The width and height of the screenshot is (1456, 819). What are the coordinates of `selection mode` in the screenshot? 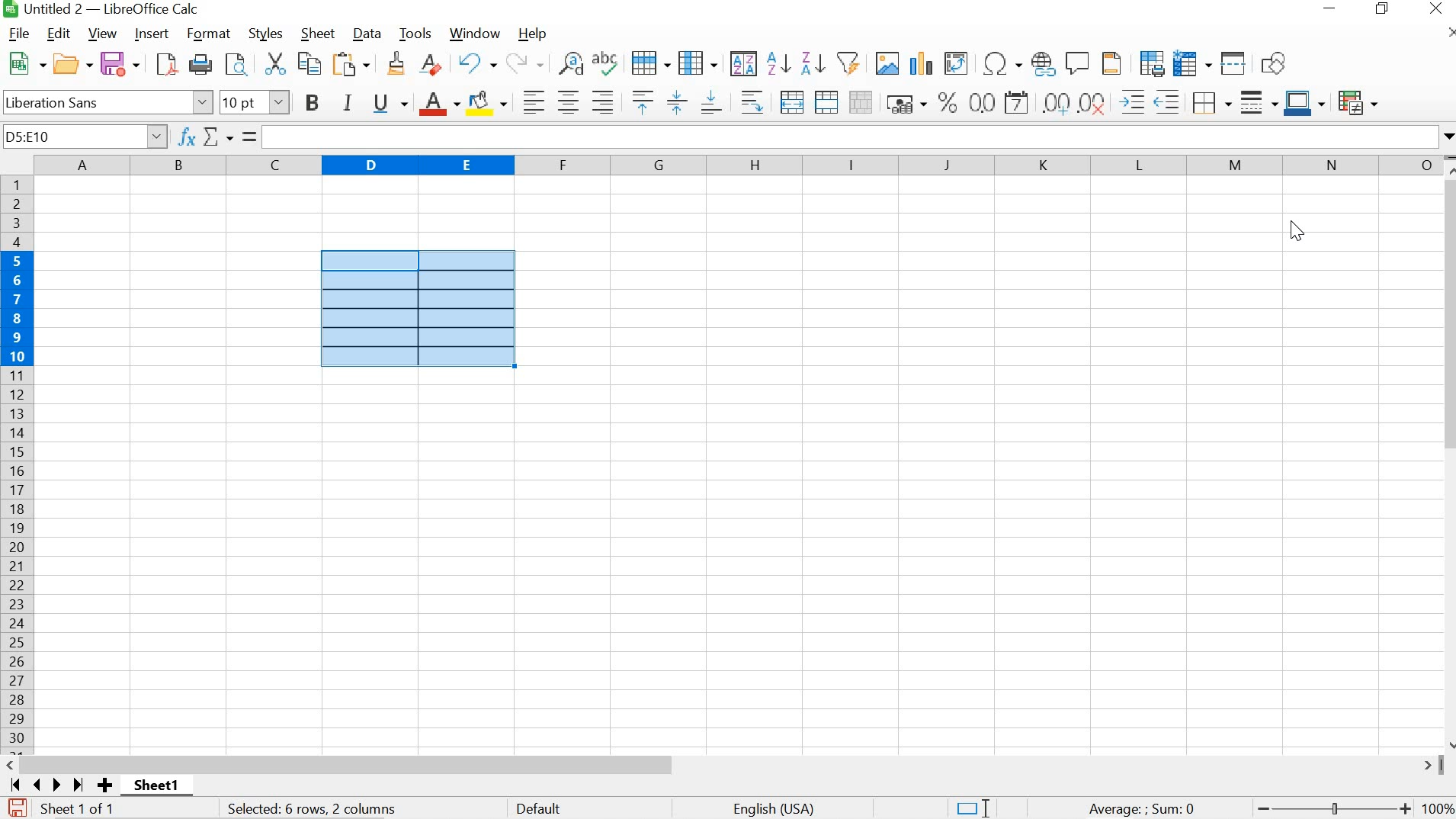 It's located at (972, 808).